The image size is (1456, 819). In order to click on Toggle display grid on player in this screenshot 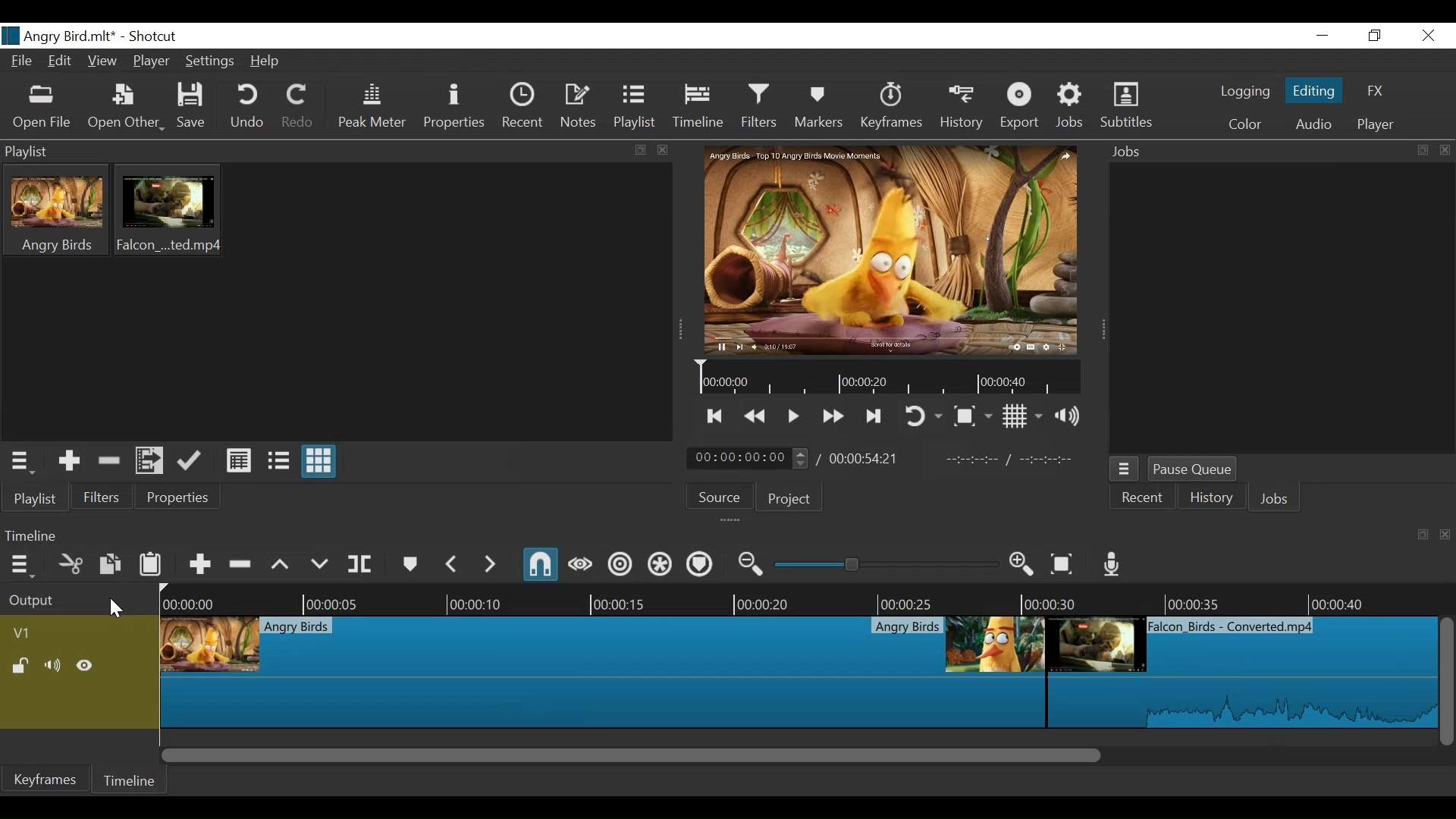, I will do `click(1025, 418)`.